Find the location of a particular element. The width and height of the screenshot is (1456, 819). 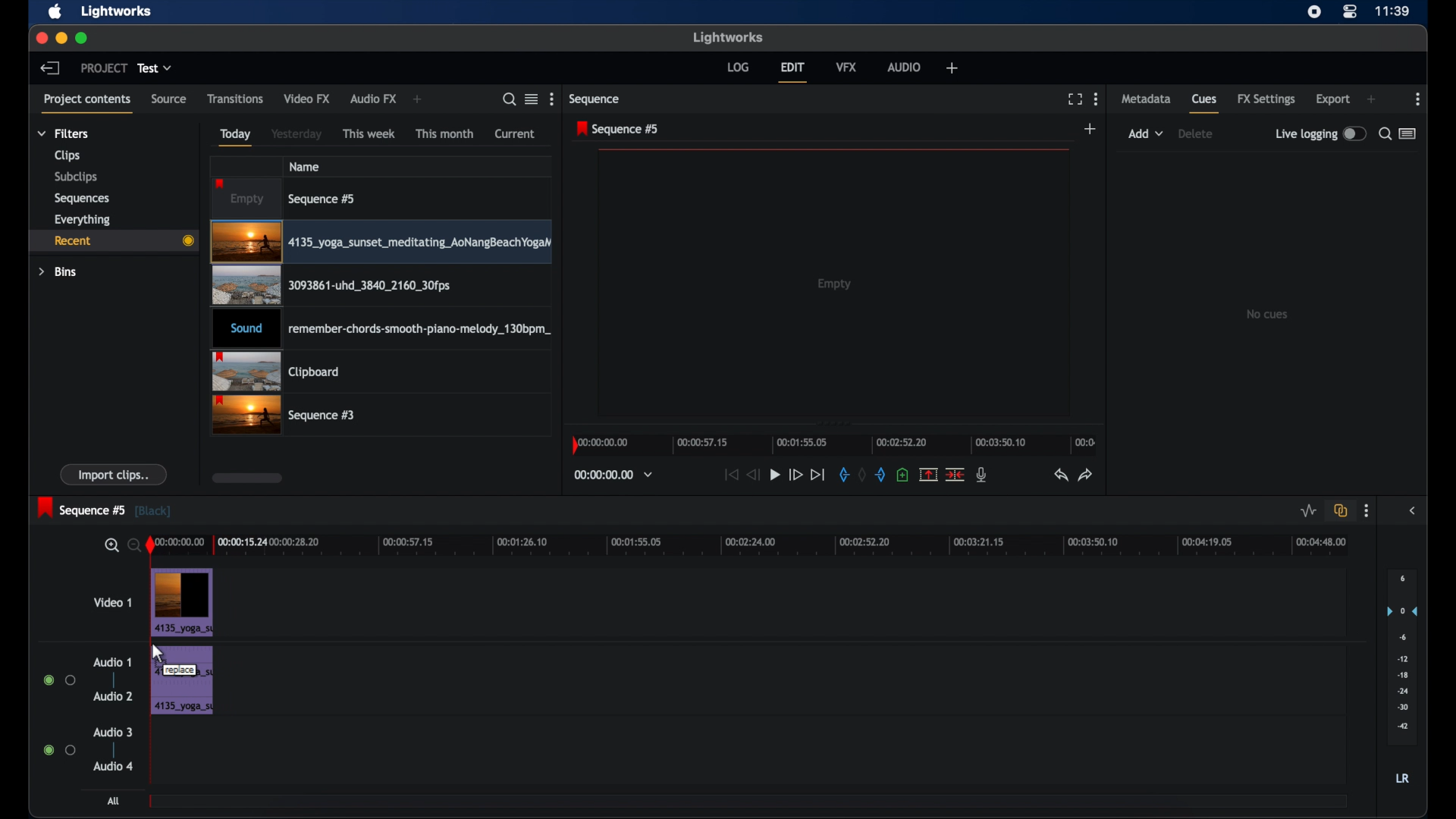

audio clip is located at coordinates (379, 329).